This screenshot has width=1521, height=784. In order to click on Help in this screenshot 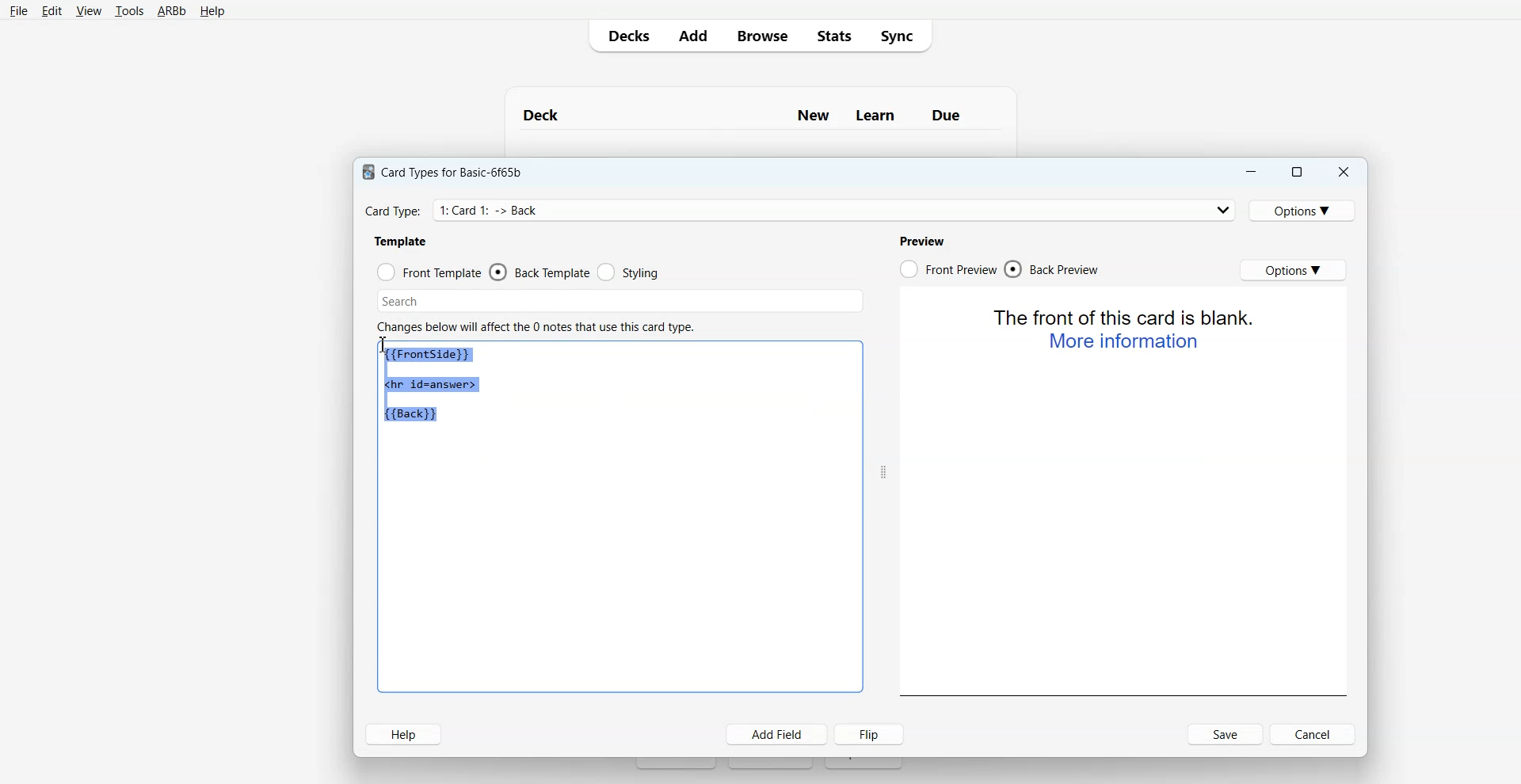, I will do `click(404, 734)`.